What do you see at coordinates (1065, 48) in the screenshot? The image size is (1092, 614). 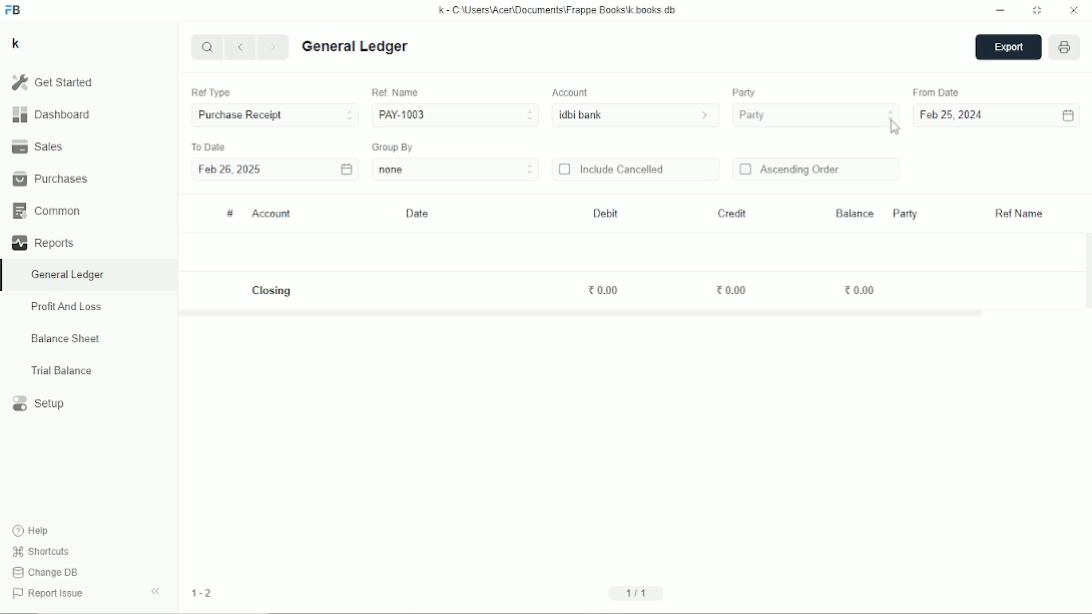 I see `Open report print view` at bounding box center [1065, 48].